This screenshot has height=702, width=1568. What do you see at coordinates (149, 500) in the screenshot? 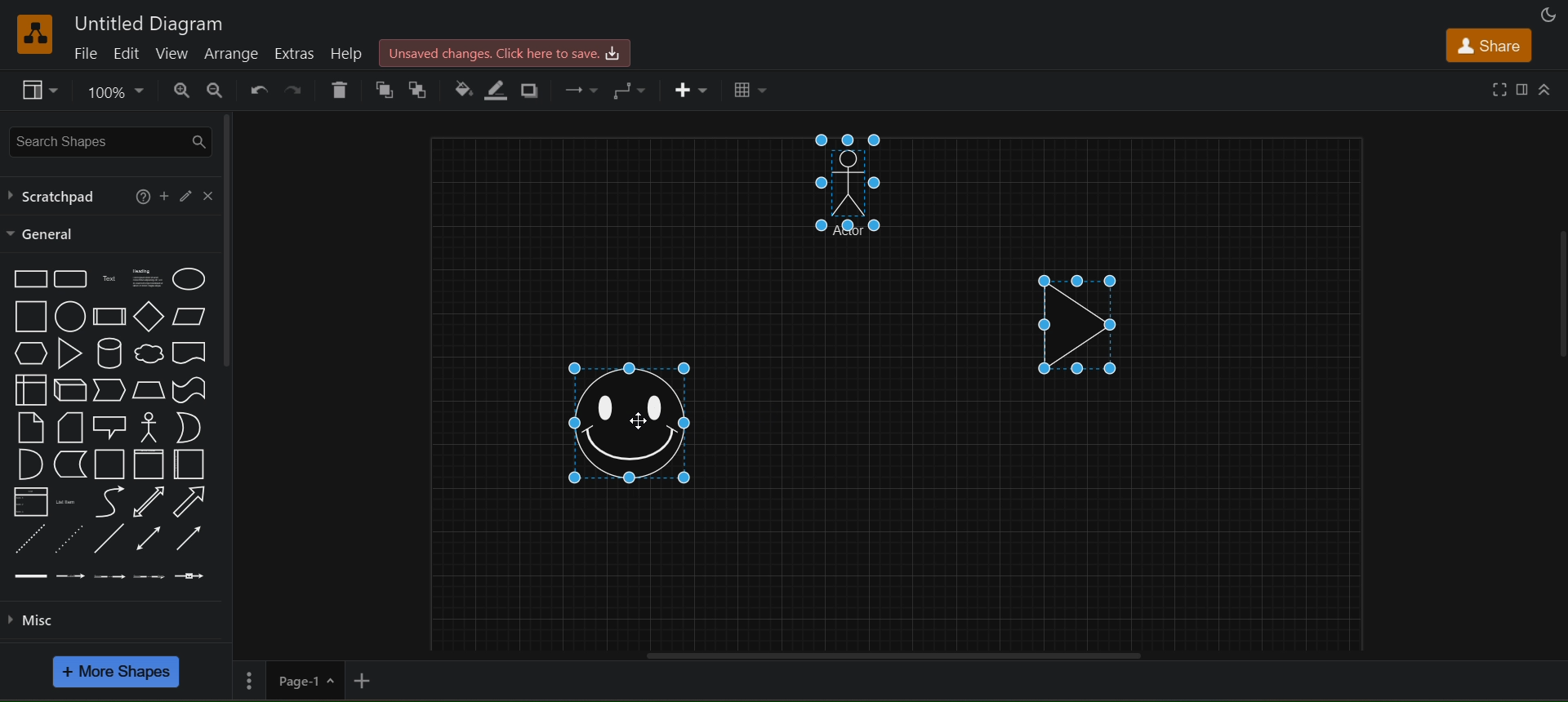
I see `bidirectional arrow` at bounding box center [149, 500].